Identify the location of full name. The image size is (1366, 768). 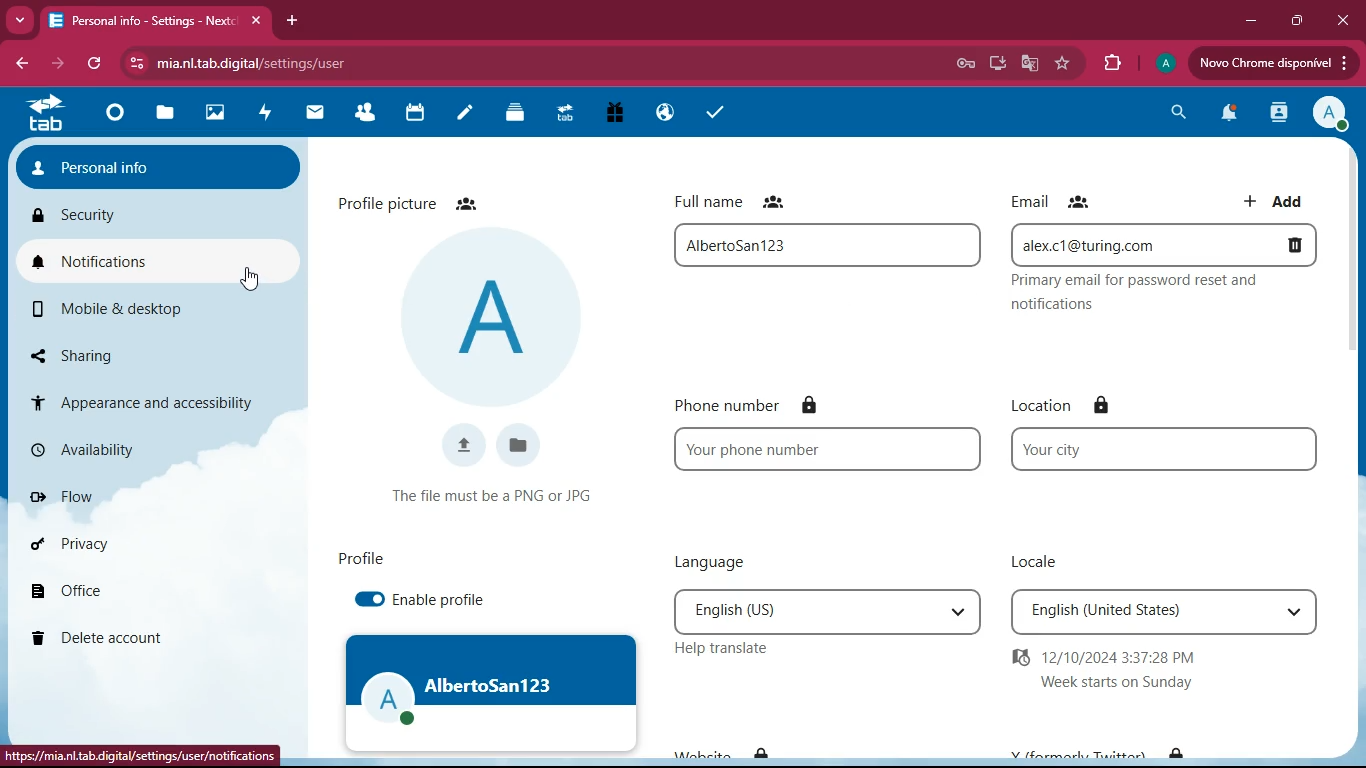
(744, 202).